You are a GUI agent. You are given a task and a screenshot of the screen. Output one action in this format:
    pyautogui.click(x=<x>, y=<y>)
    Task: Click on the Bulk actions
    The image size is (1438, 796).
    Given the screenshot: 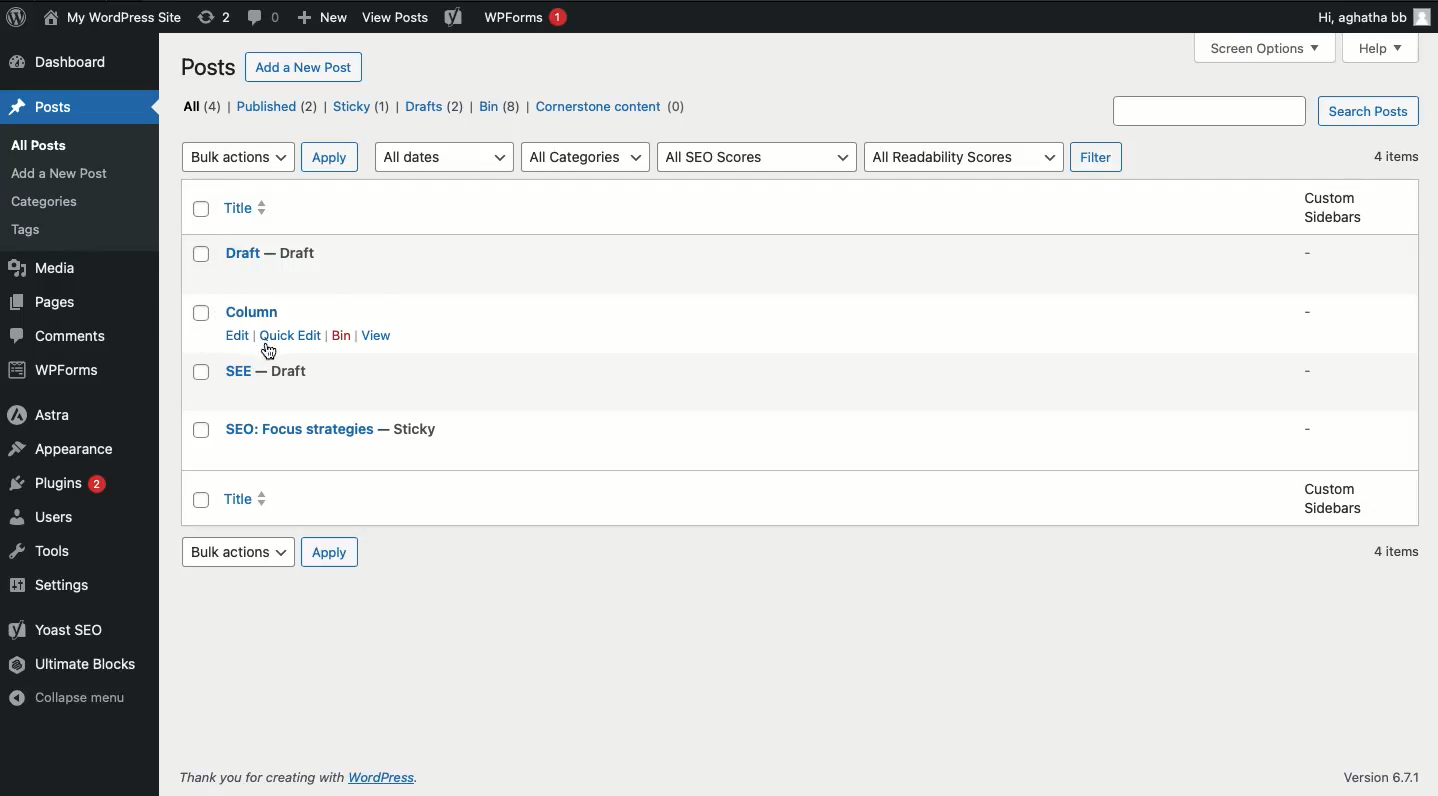 What is the action you would take?
    pyautogui.click(x=238, y=156)
    